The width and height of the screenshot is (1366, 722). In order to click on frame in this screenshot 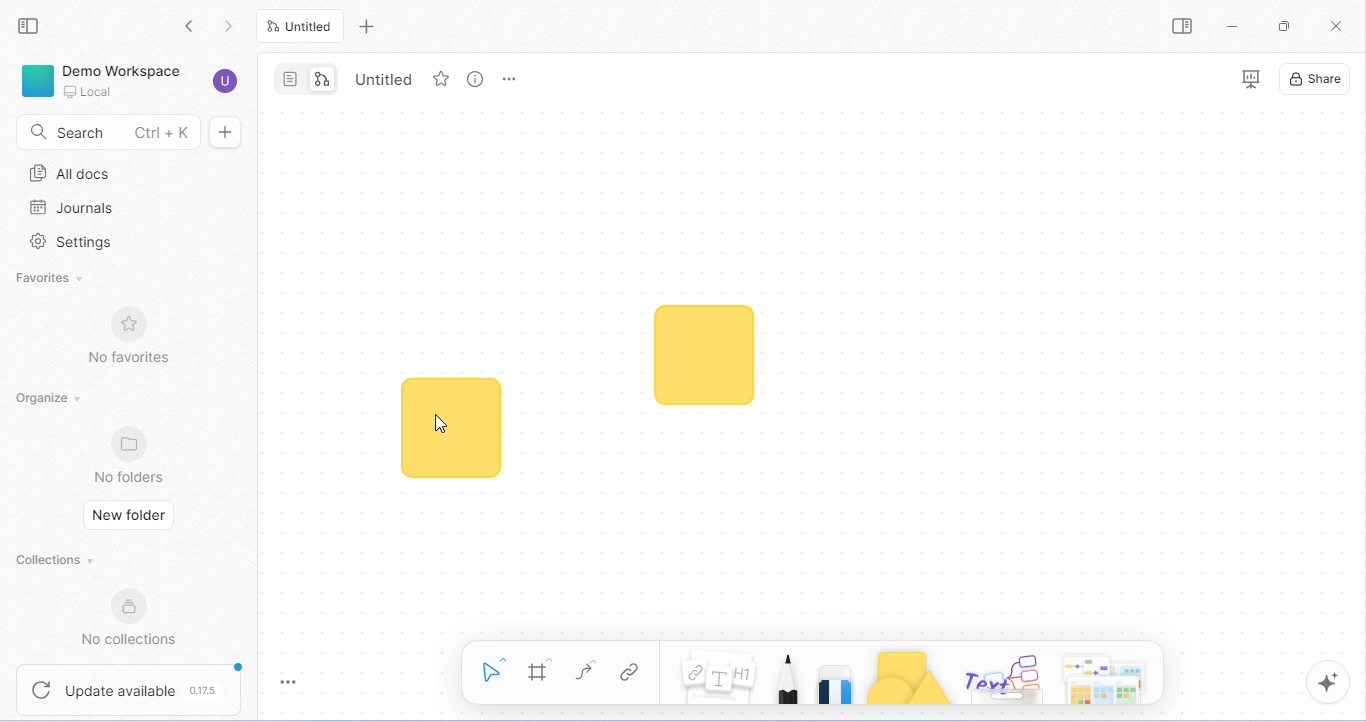, I will do `click(543, 671)`.